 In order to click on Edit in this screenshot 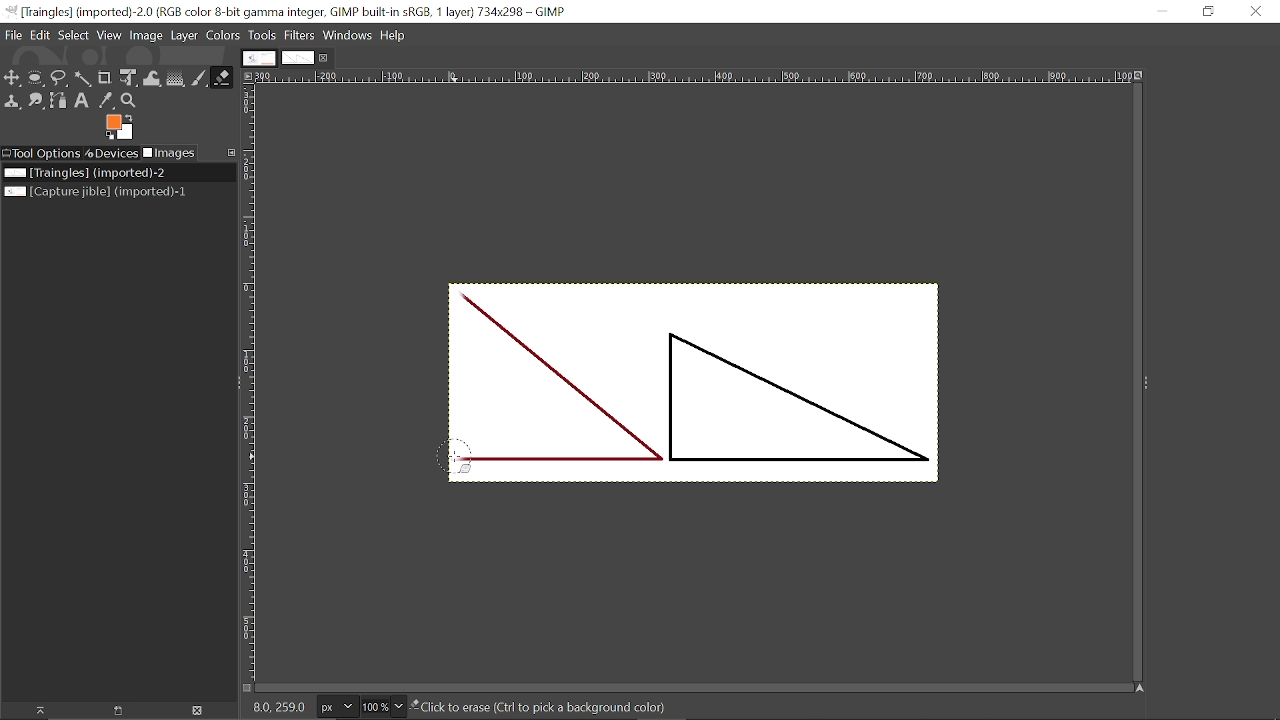, I will do `click(39, 34)`.